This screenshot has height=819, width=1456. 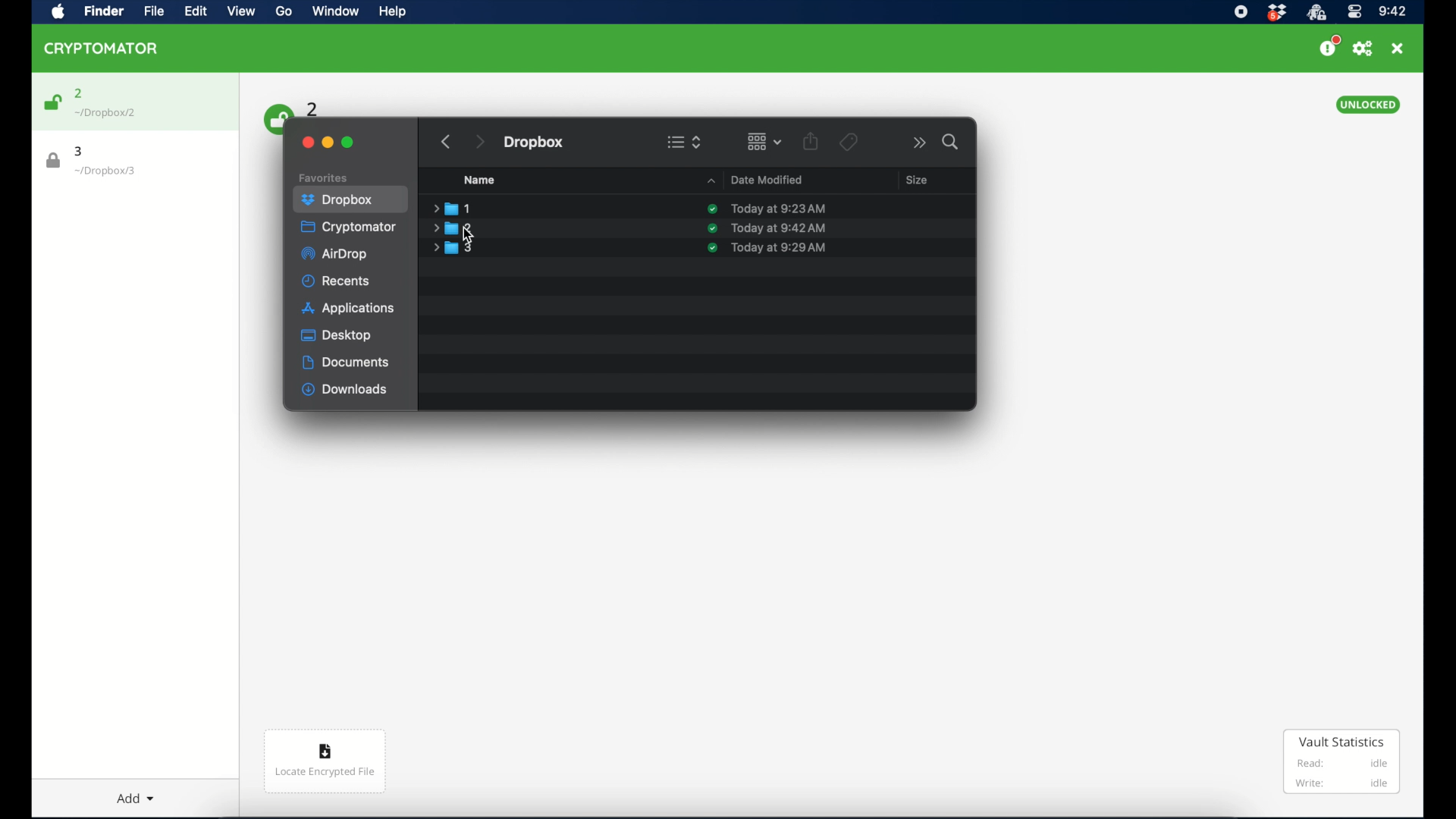 What do you see at coordinates (848, 142) in the screenshot?
I see `tags` at bounding box center [848, 142].